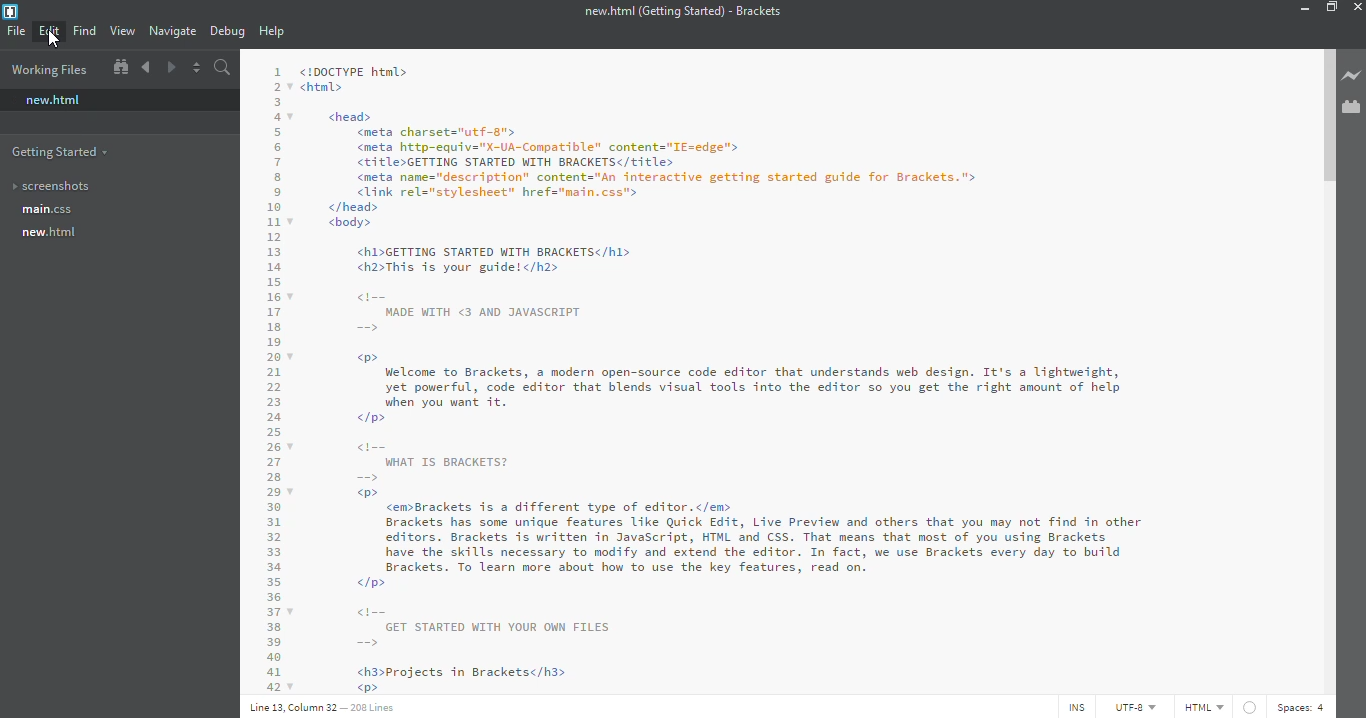 The height and width of the screenshot is (718, 1366). What do you see at coordinates (224, 67) in the screenshot?
I see `search` at bounding box center [224, 67].